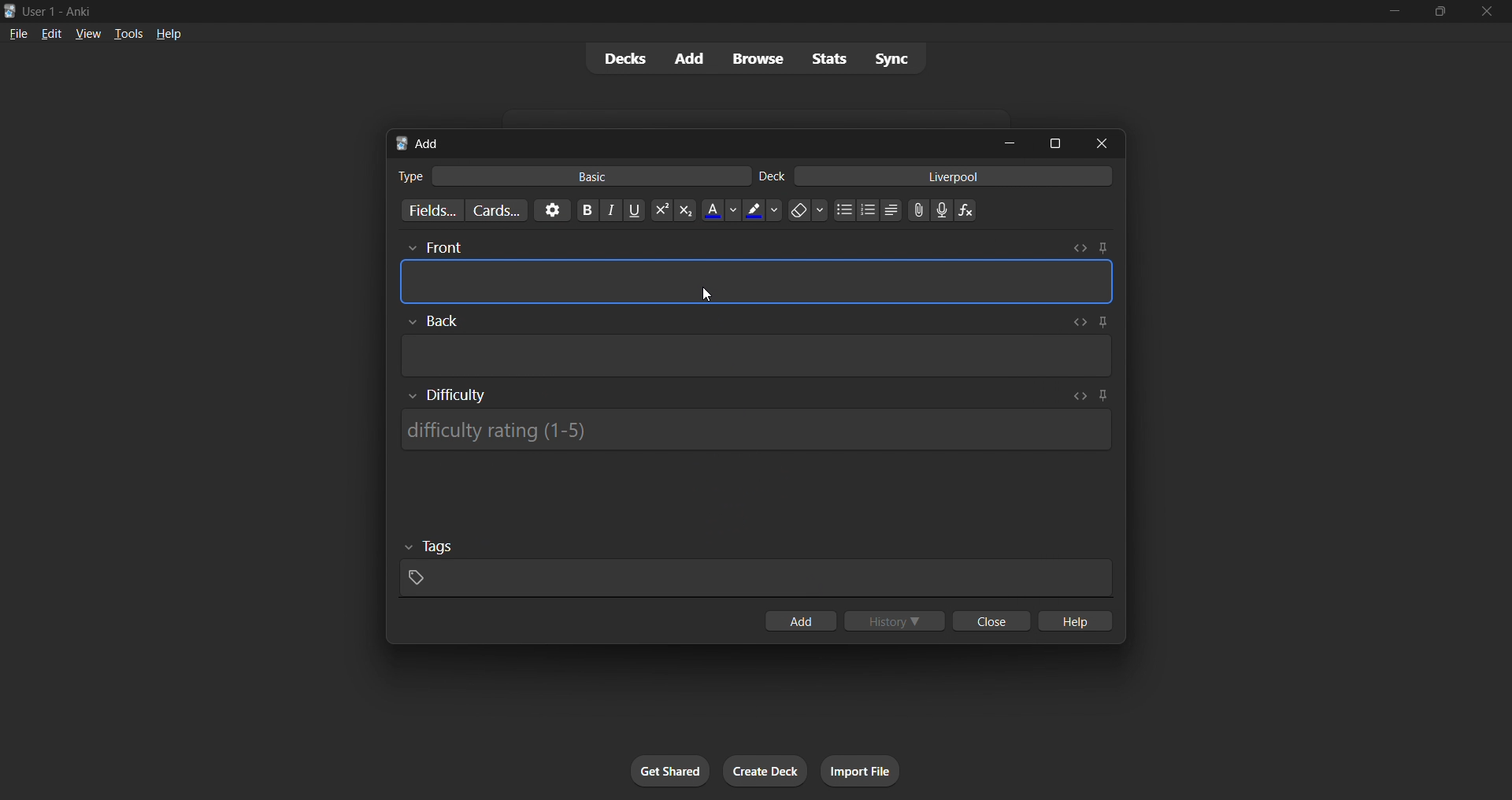  I want to click on Difficulty rating input box, so click(755, 430).